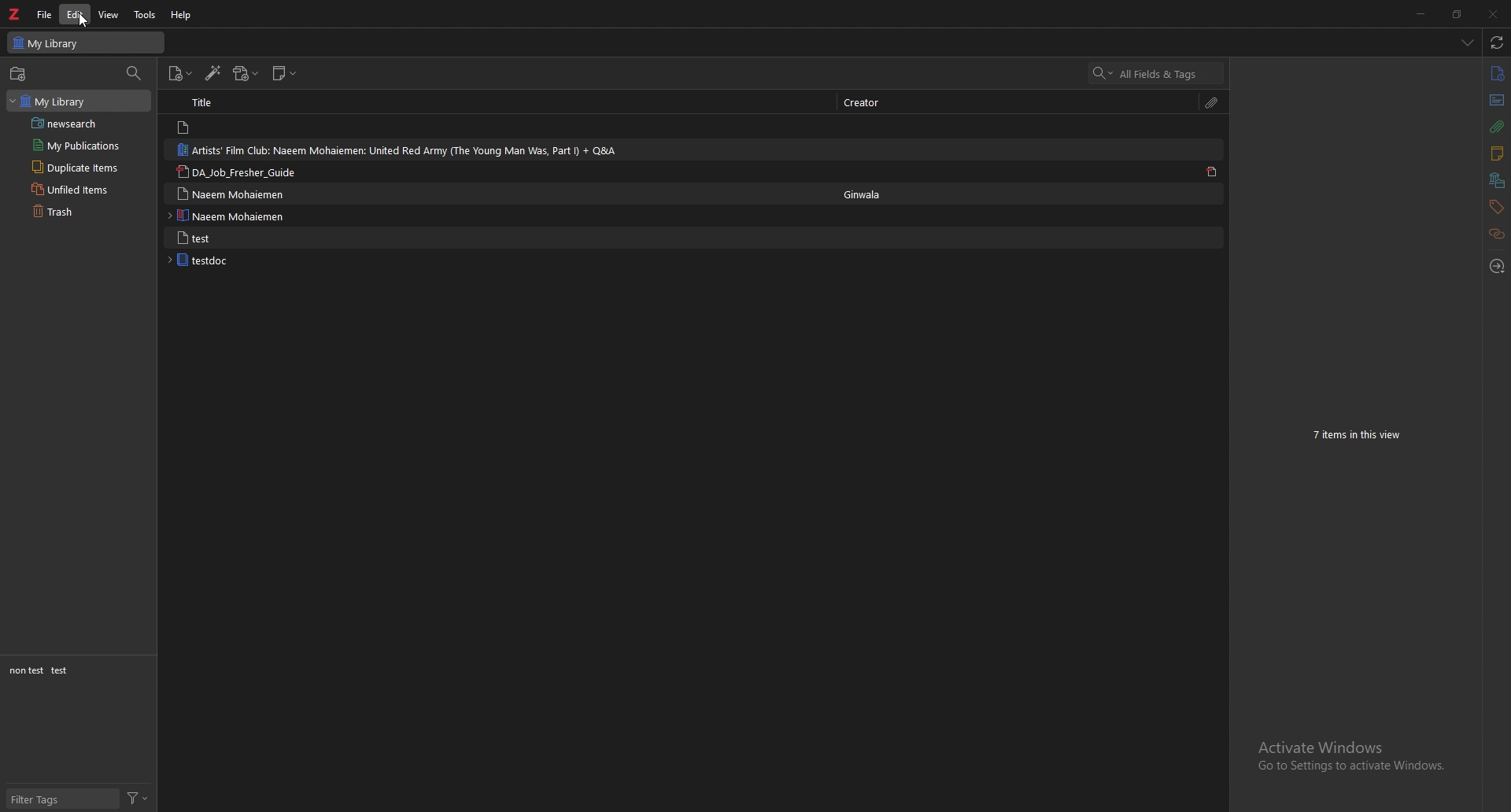 This screenshot has width=1511, height=812. I want to click on abstract, so click(1495, 101).